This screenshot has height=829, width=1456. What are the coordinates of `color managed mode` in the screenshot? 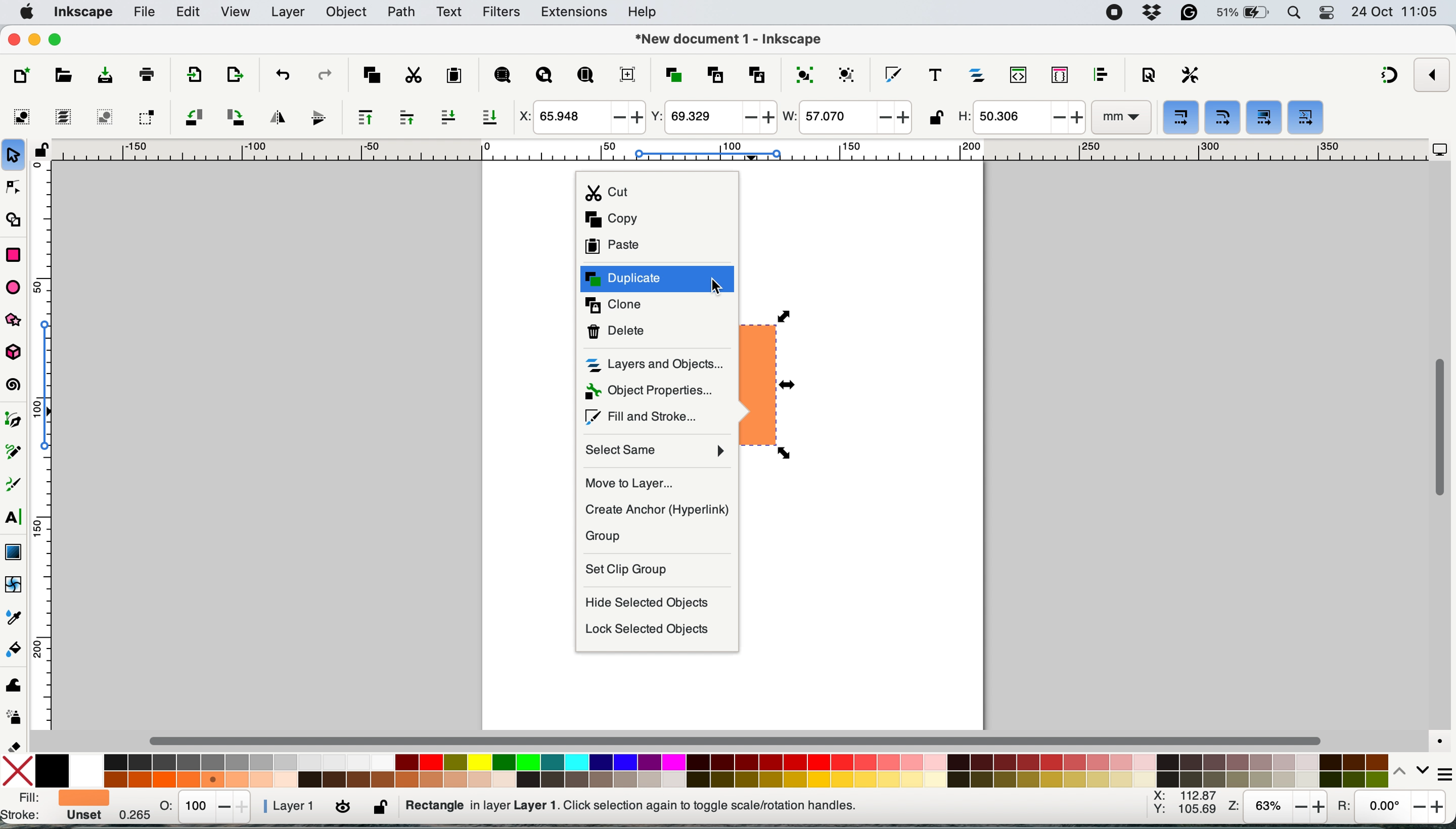 It's located at (1436, 737).